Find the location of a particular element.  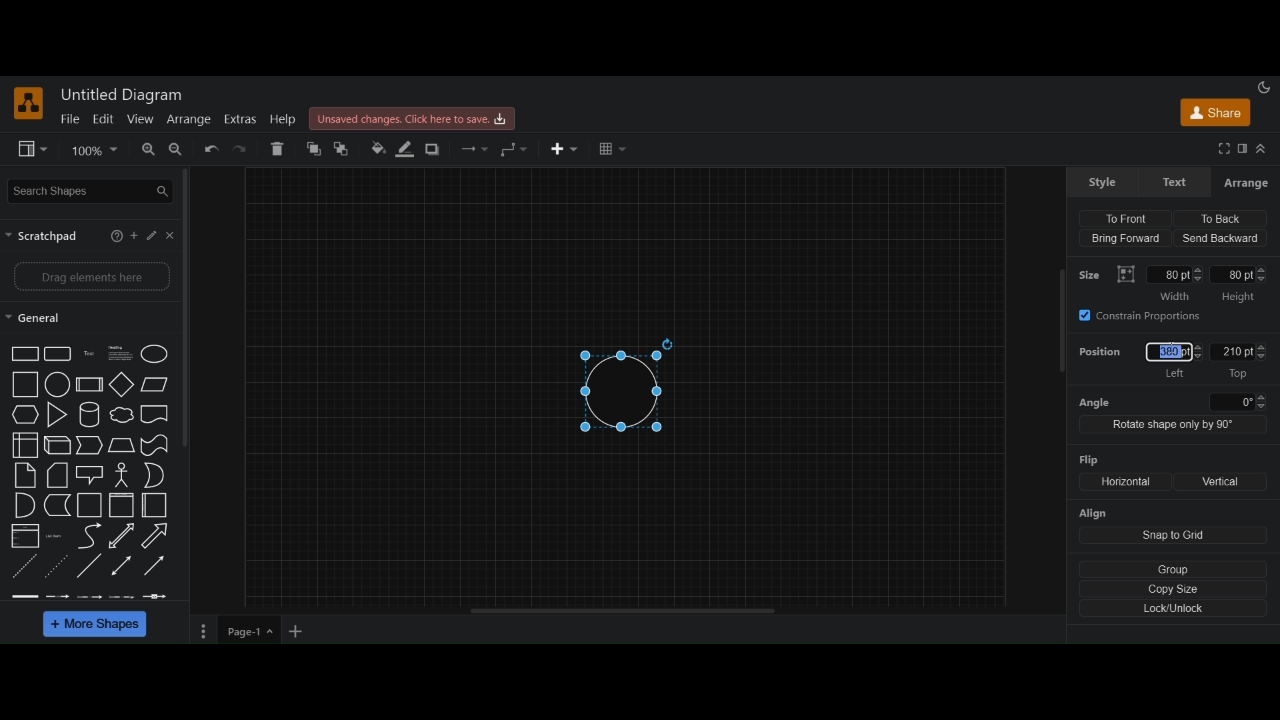

Half circle is located at coordinates (25, 505).